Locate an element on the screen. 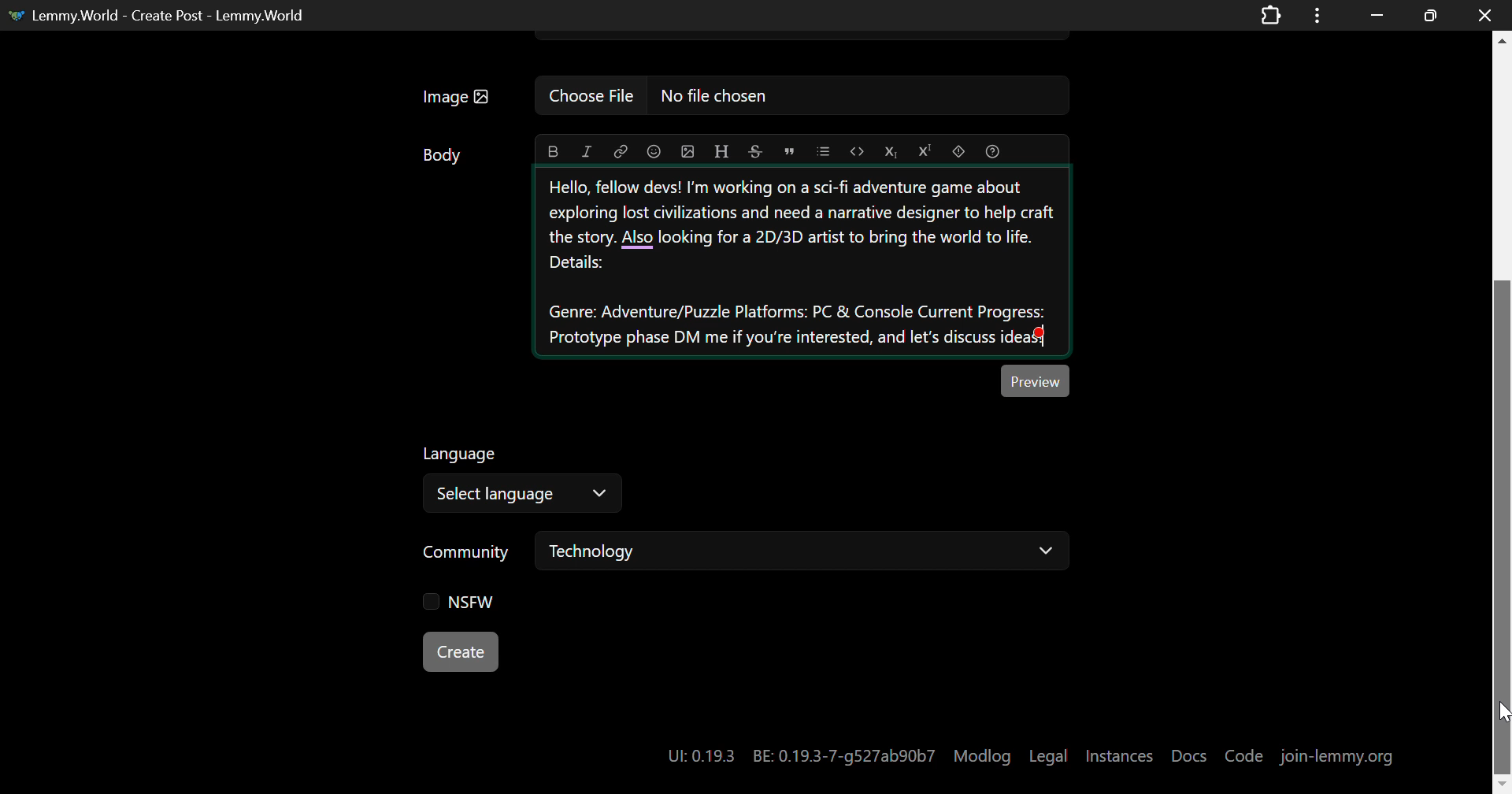 The width and height of the screenshot is (1512, 794). Ul: 0.19.3 BE: 0.19.3-7-g527ab90b7 is located at coordinates (795, 751).